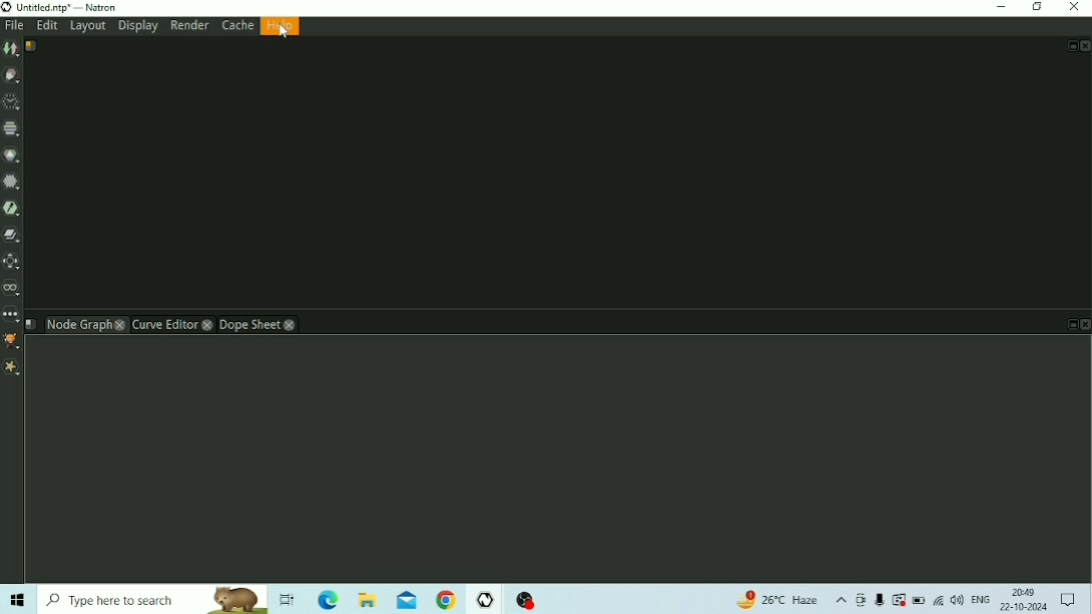 This screenshot has height=614, width=1092. What do you see at coordinates (487, 598) in the screenshot?
I see `Natron` at bounding box center [487, 598].